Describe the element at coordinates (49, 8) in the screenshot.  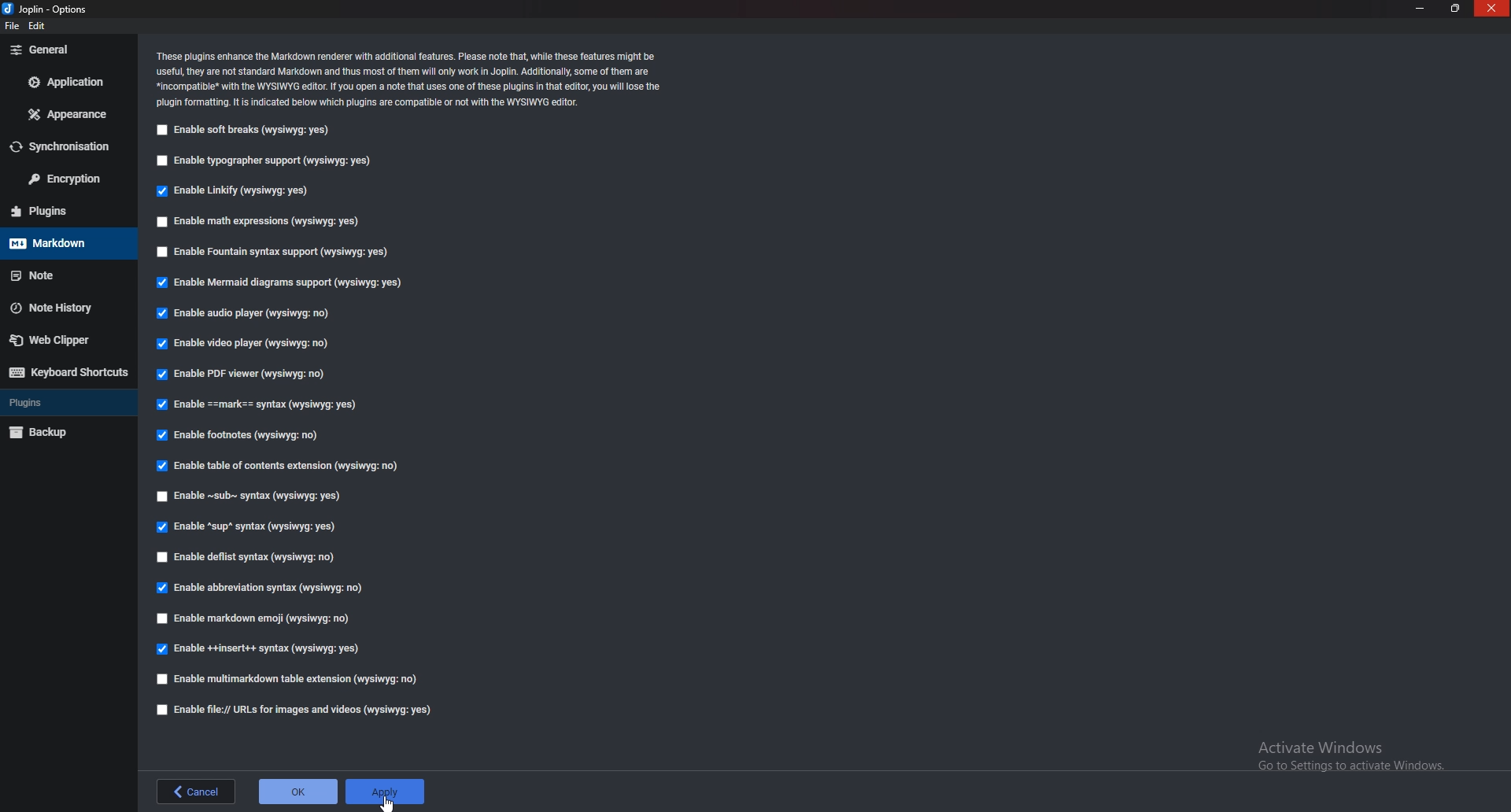
I see `options` at that location.